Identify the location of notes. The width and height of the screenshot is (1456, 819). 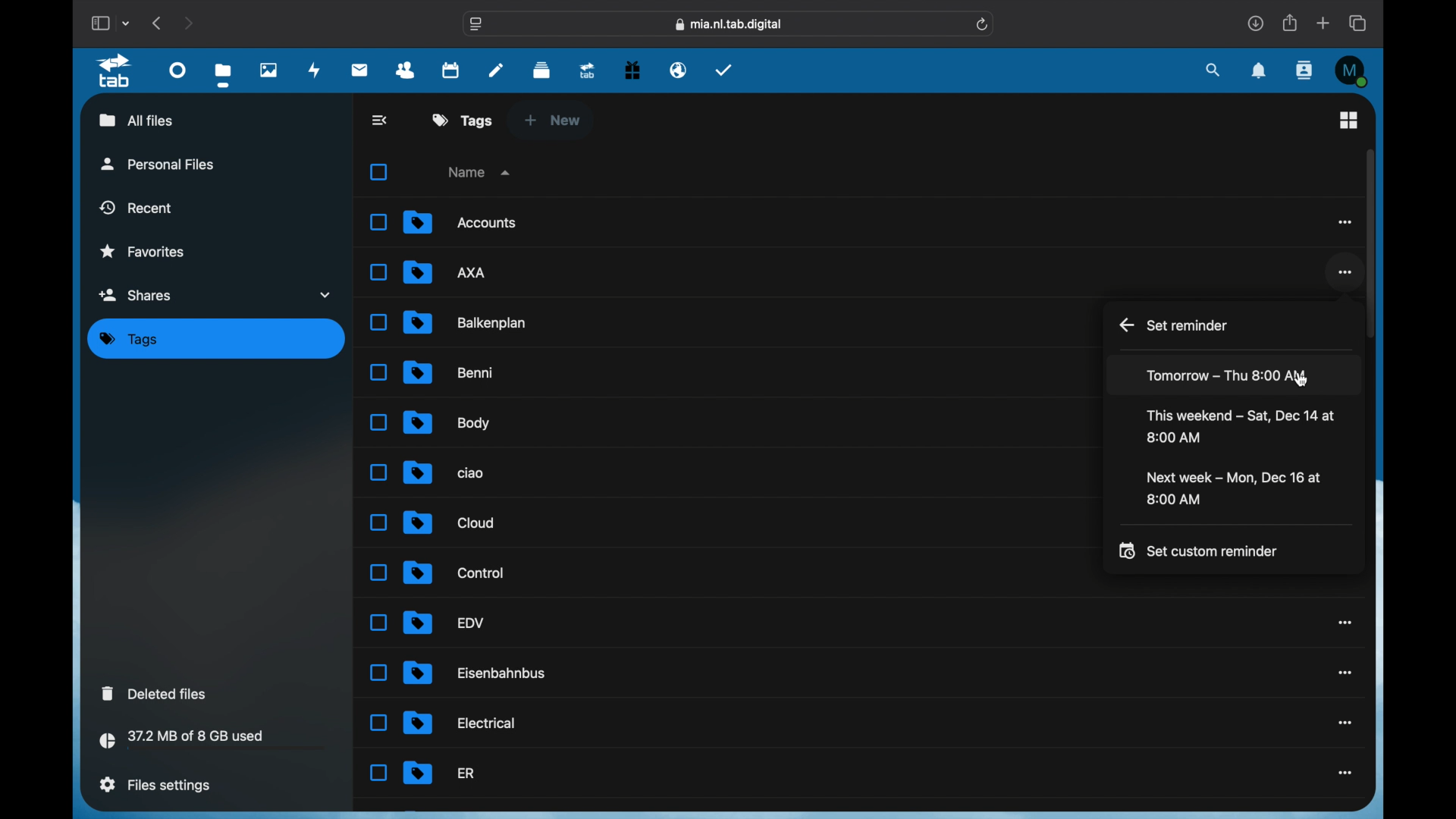
(496, 70).